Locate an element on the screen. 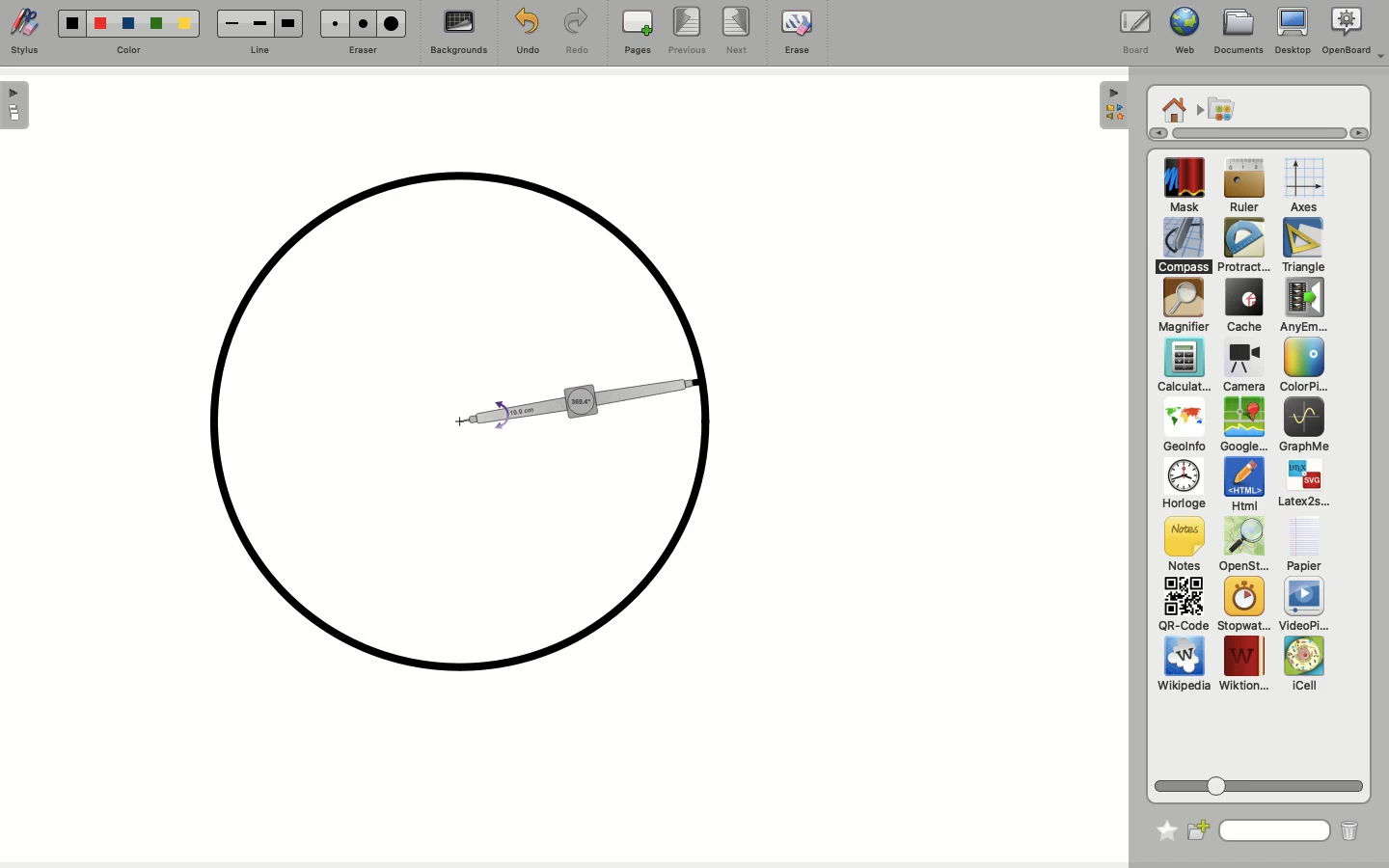 The height and width of the screenshot is (868, 1389). GraphMe is located at coordinates (1303, 426).